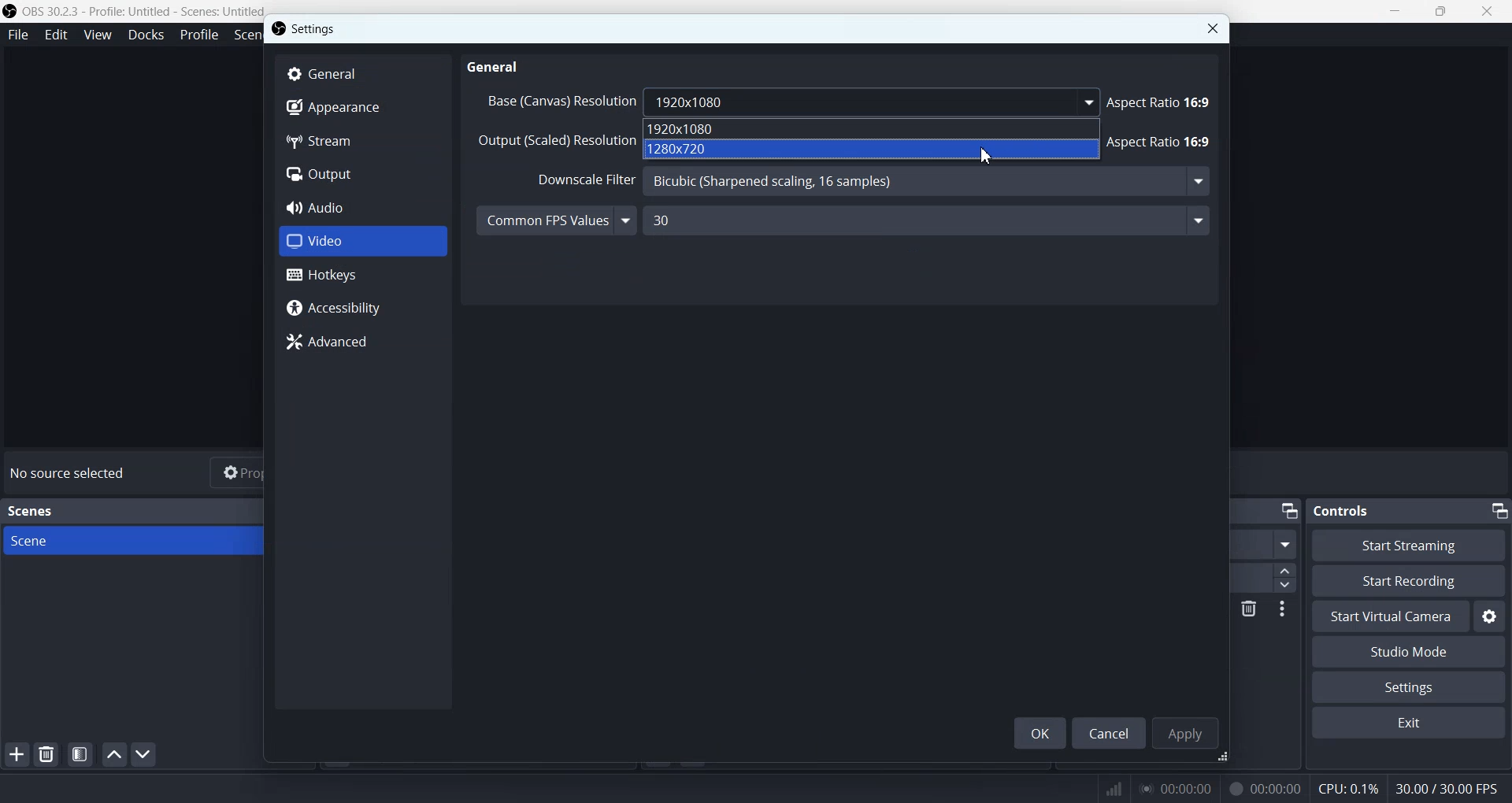  I want to click on Close, so click(1213, 28).